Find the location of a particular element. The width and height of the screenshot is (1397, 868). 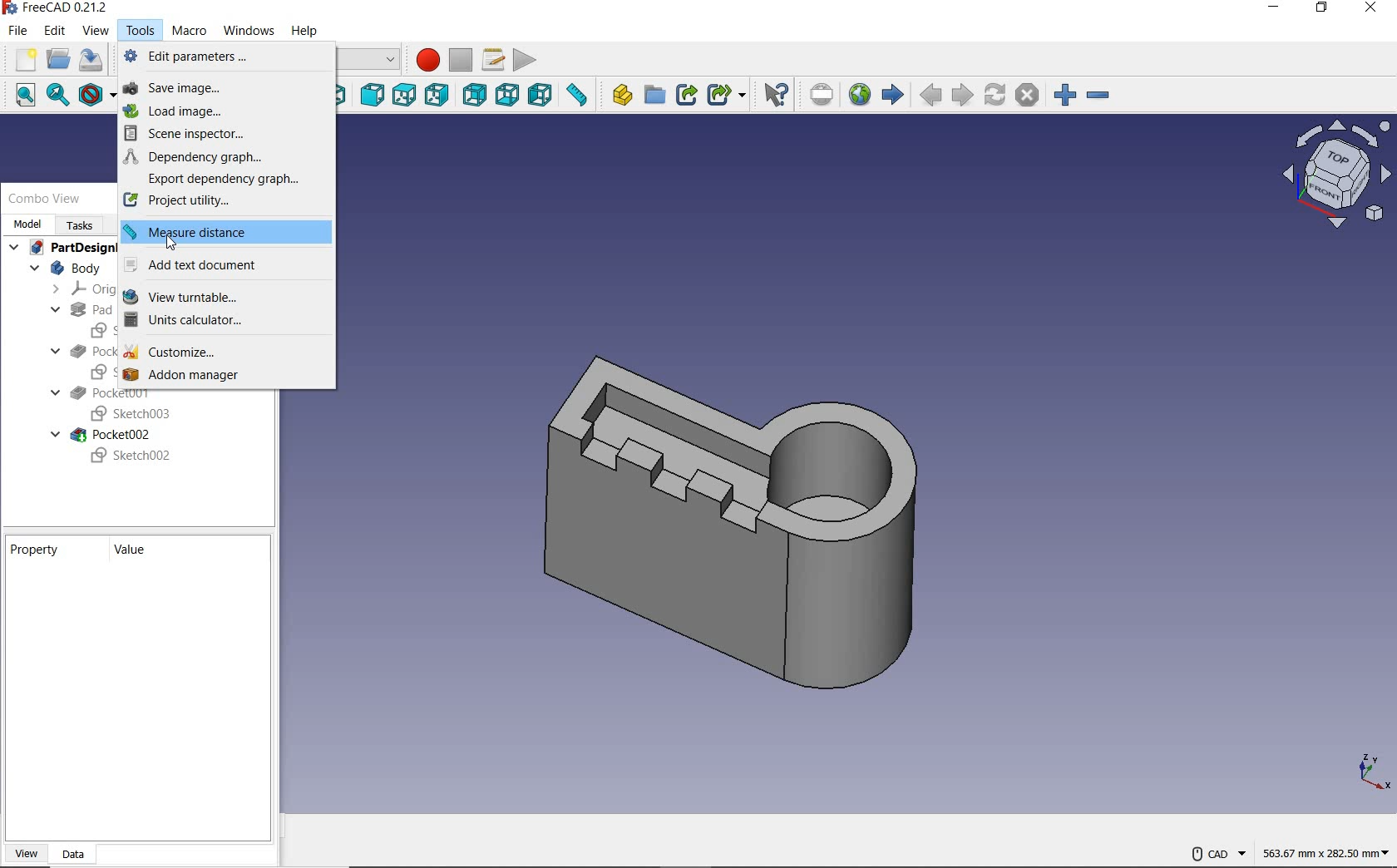

restore down is located at coordinates (1329, 11).